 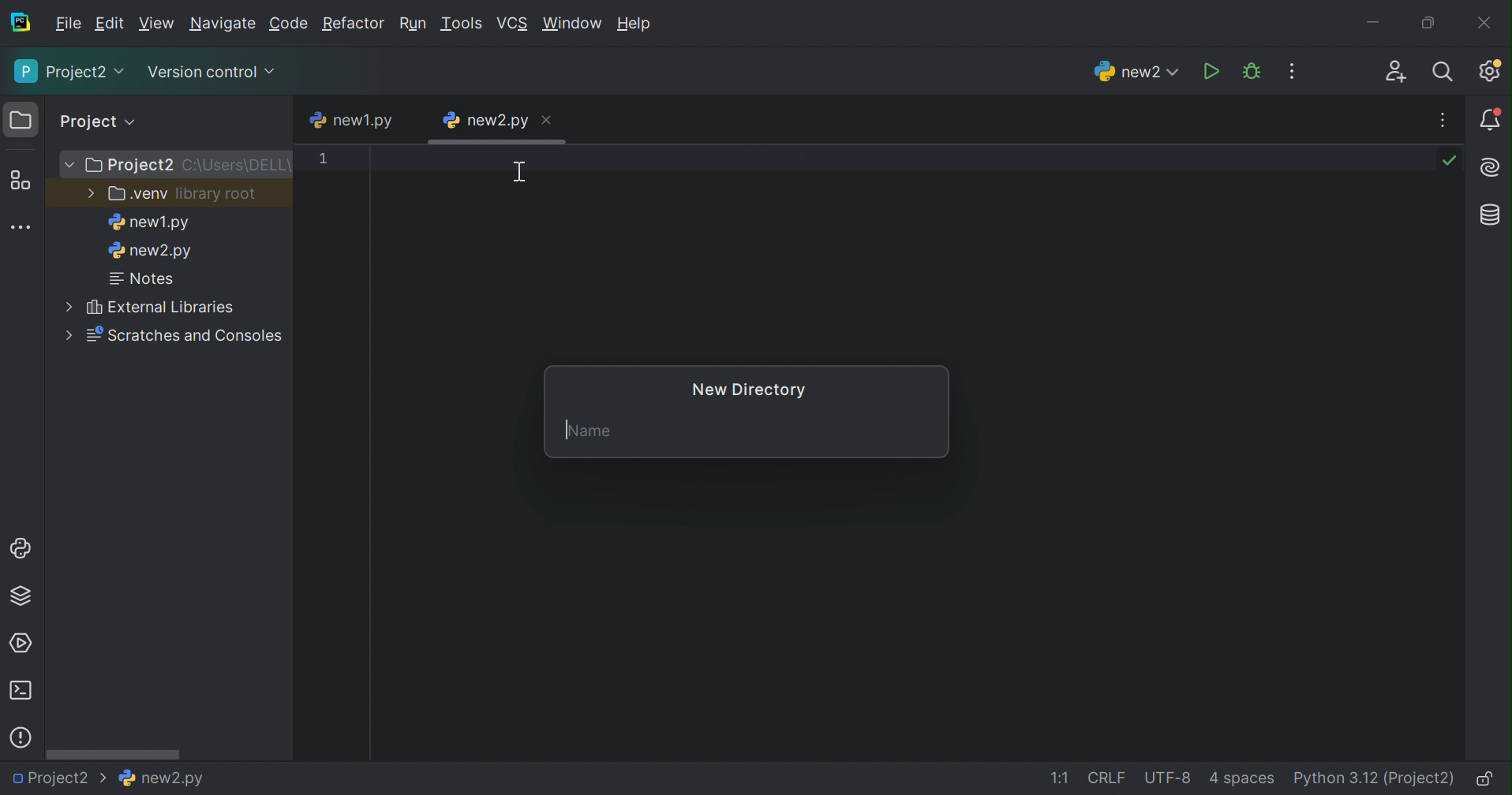 What do you see at coordinates (593, 431) in the screenshot?
I see `Name` at bounding box center [593, 431].